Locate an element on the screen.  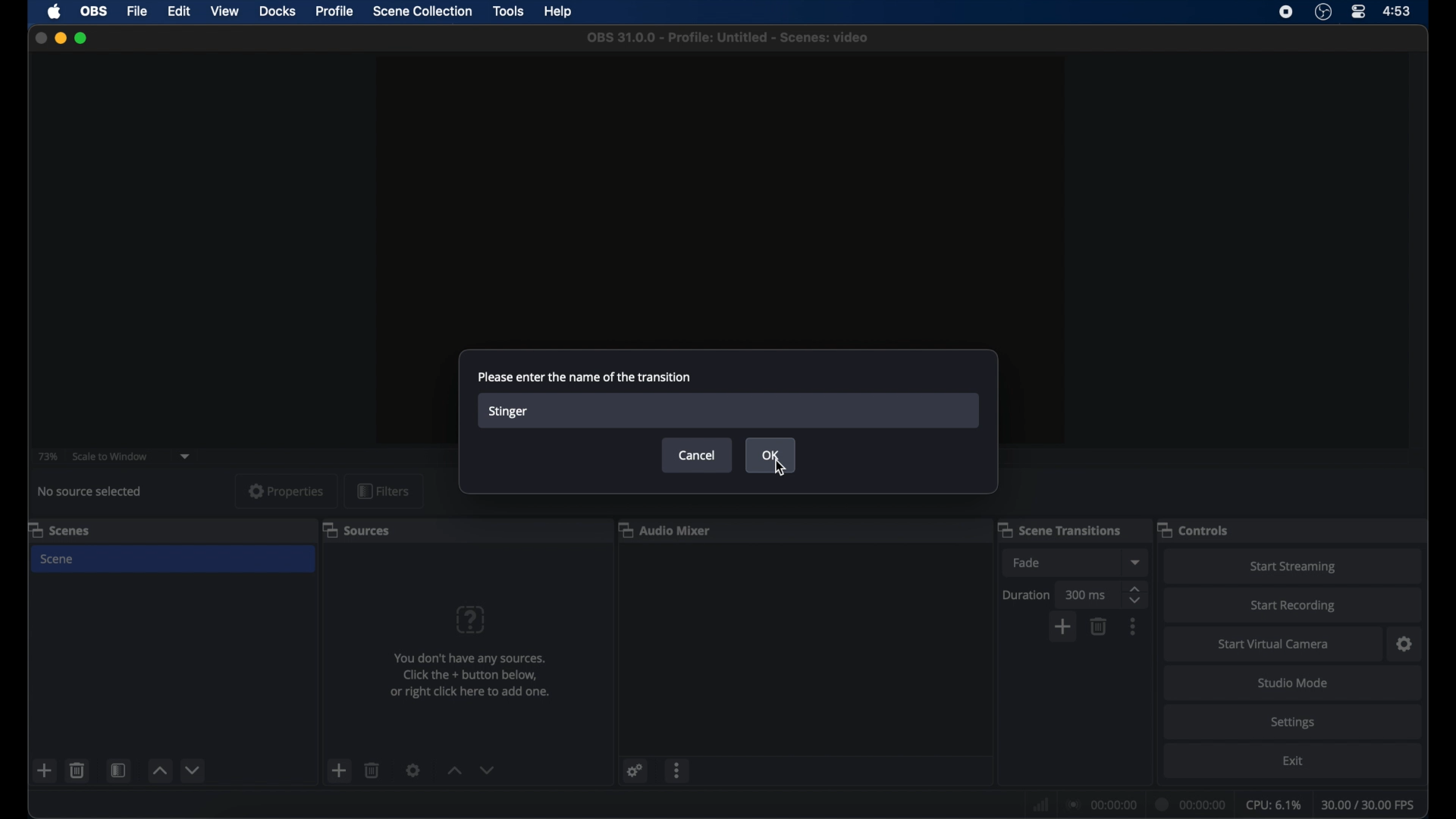
duration is located at coordinates (1191, 804).